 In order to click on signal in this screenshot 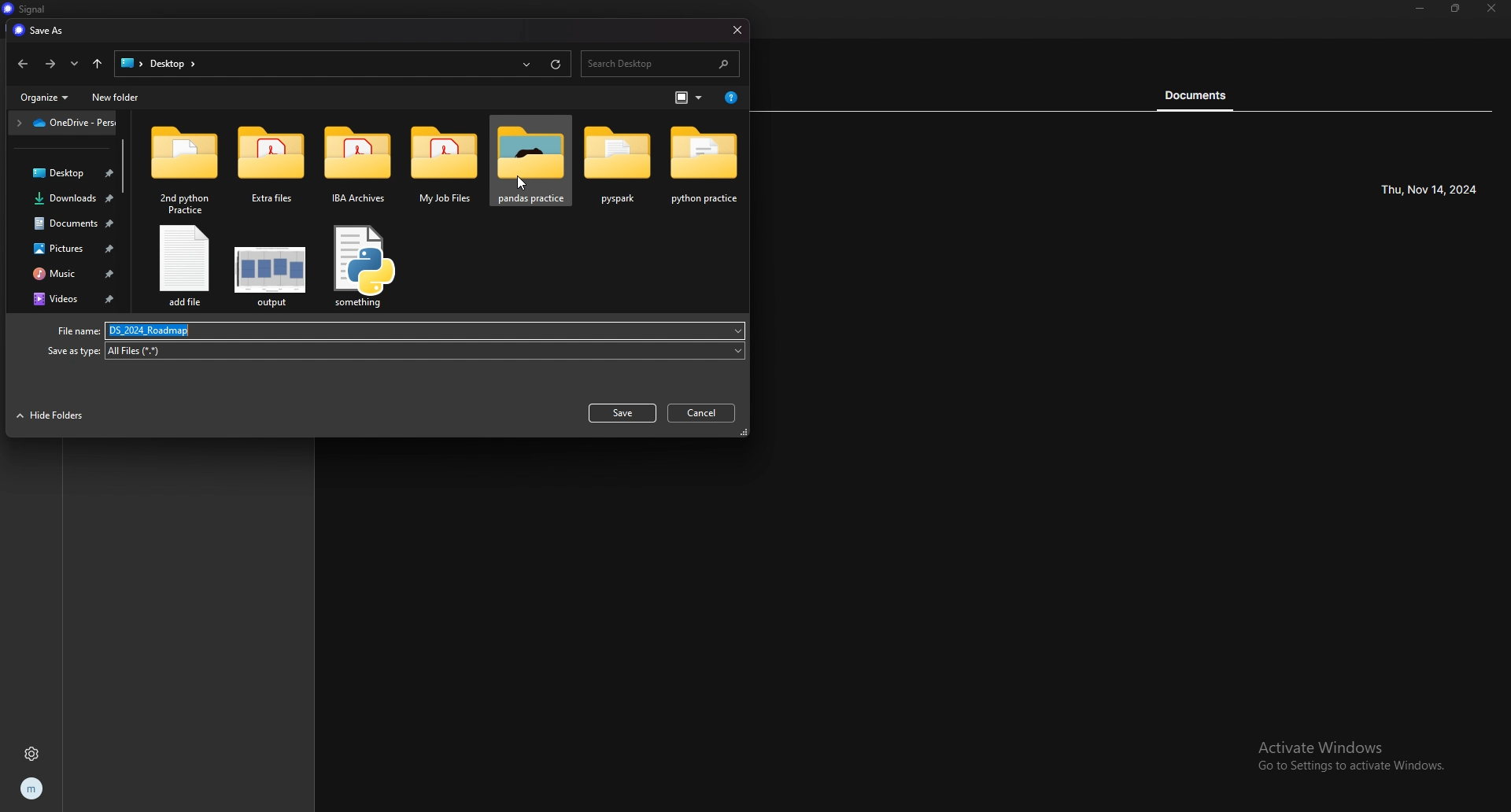, I will do `click(45, 11)`.